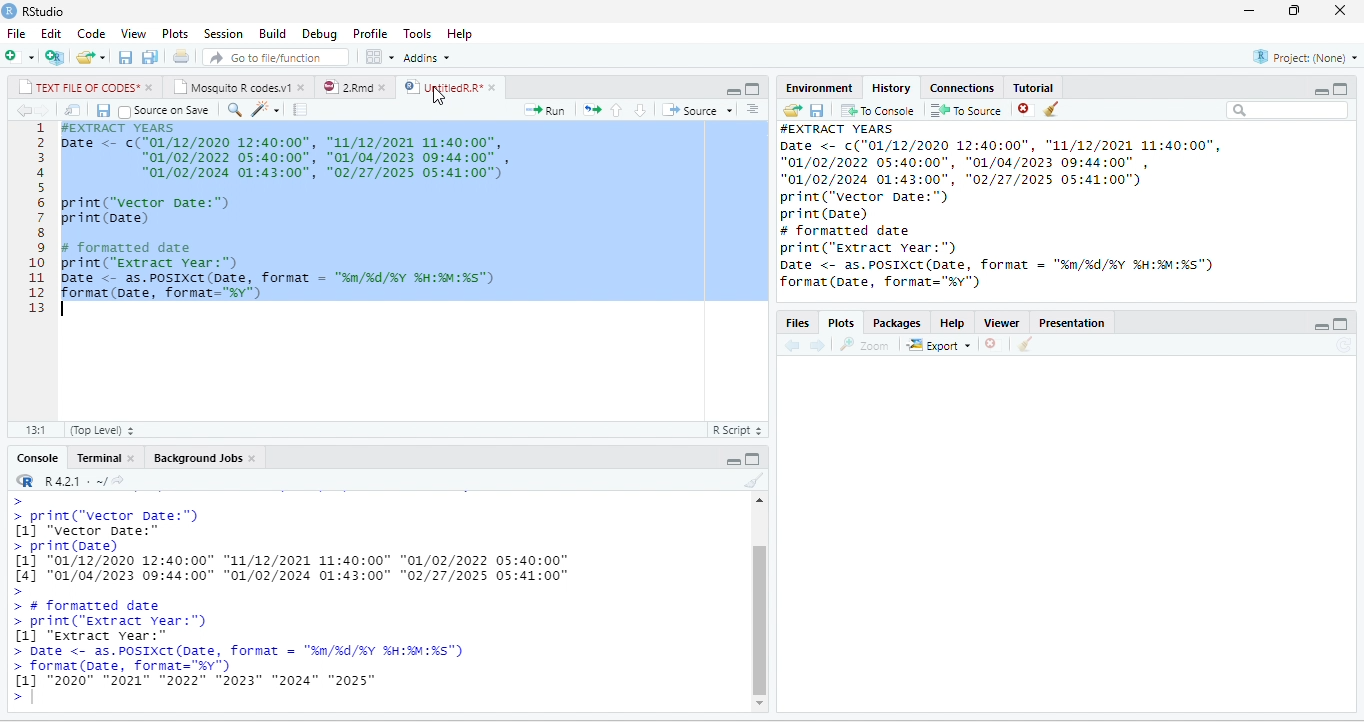 Image resolution: width=1364 pixels, height=722 pixels. I want to click on maximize, so click(752, 458).